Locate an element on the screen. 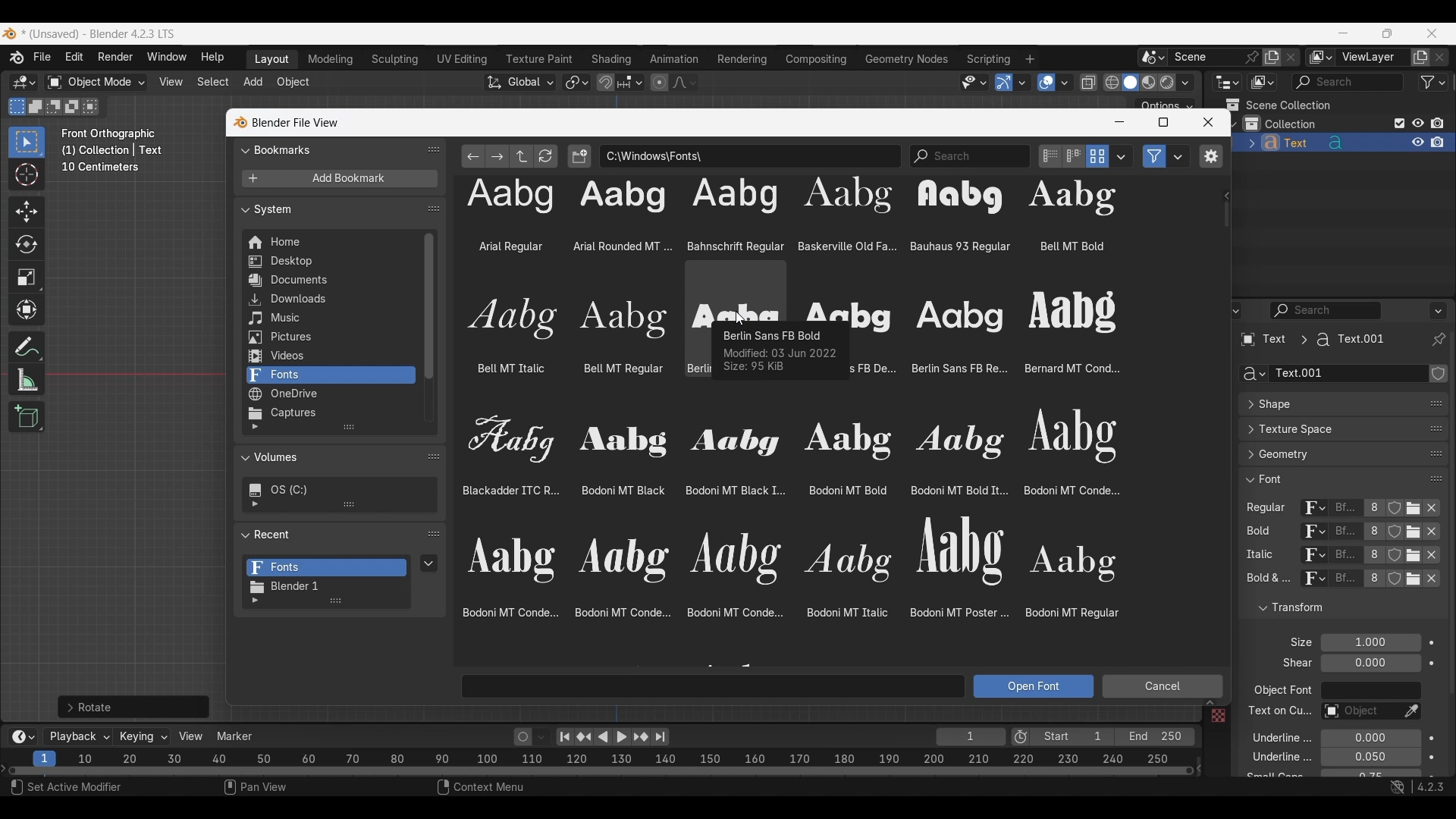 Image resolution: width=1456 pixels, height=819 pixels. cursor is located at coordinates (739, 319).